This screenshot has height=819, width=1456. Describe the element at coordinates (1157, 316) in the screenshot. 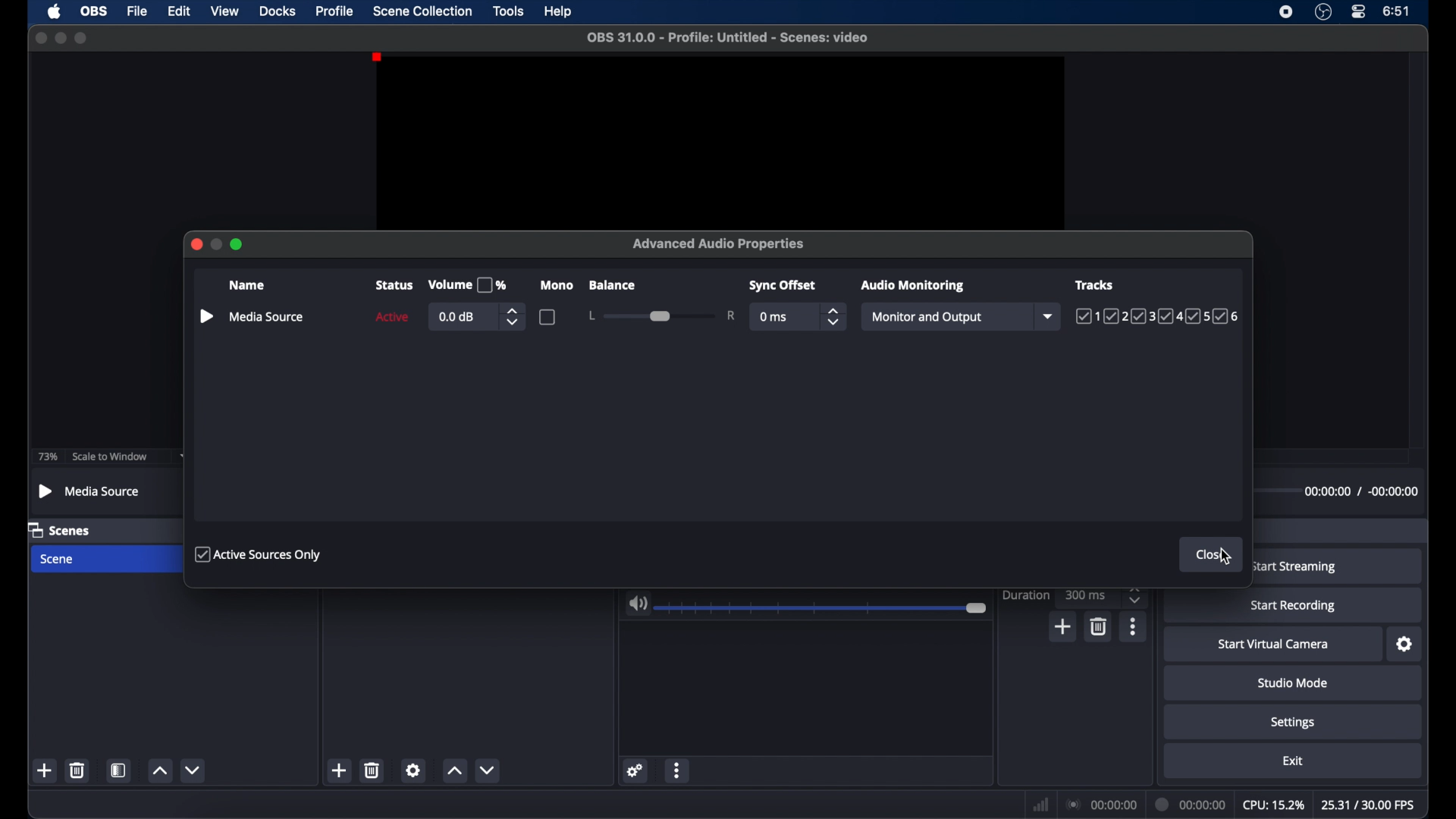

I see `tracks` at that location.